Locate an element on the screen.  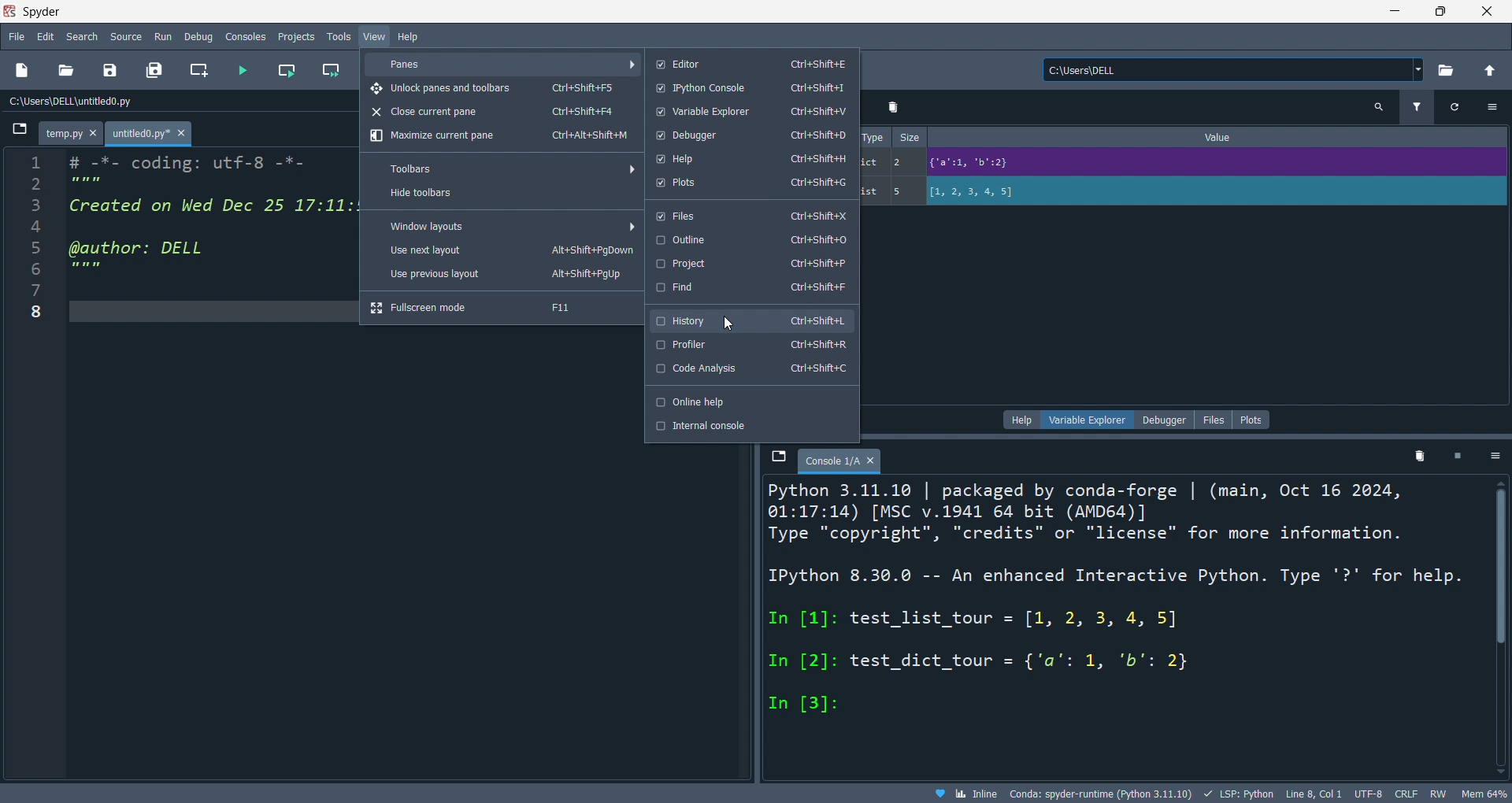
variable explorer is located at coordinates (1091, 419).